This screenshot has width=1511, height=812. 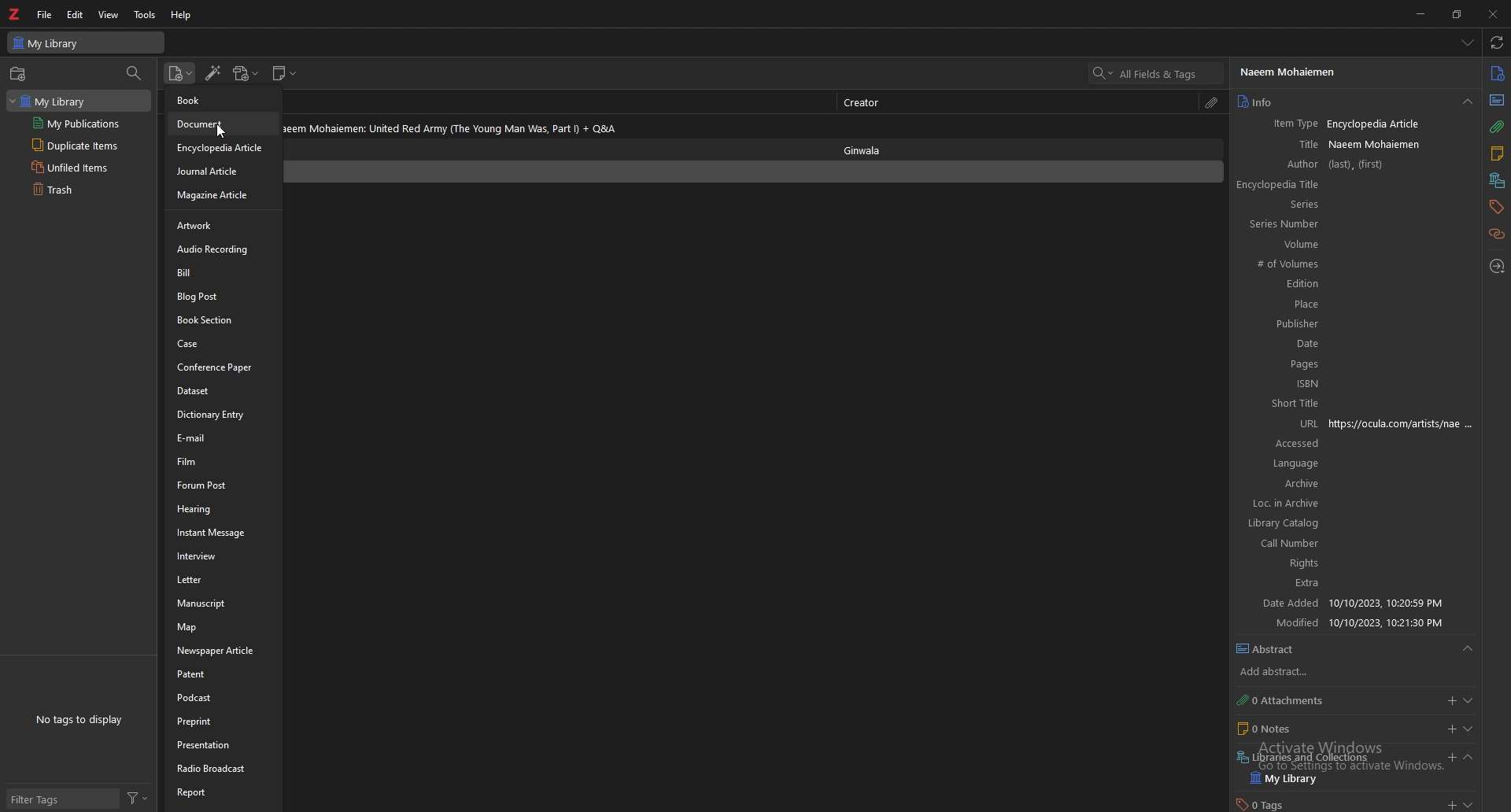 I want to click on pages, so click(x=1277, y=364).